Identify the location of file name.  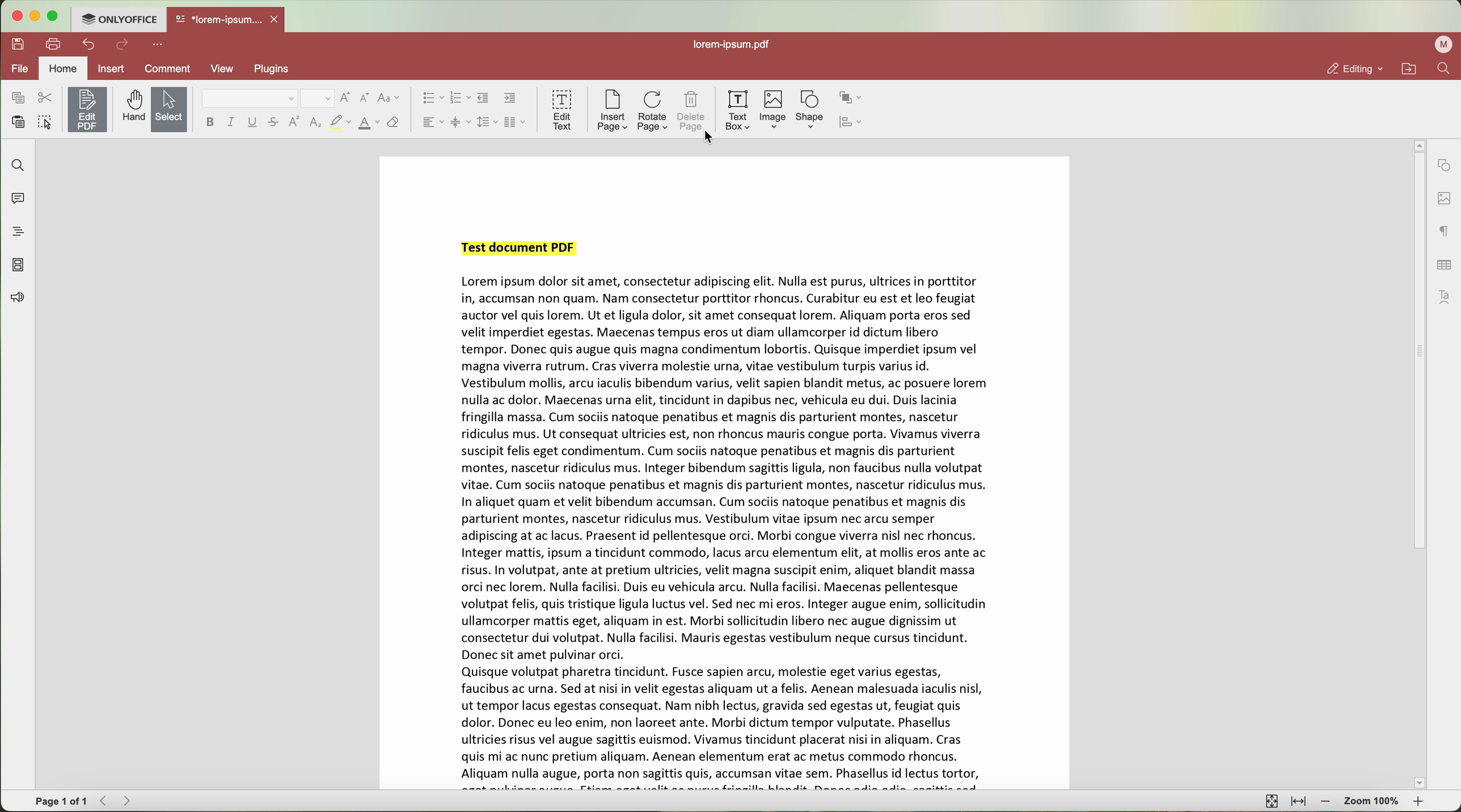
(734, 43).